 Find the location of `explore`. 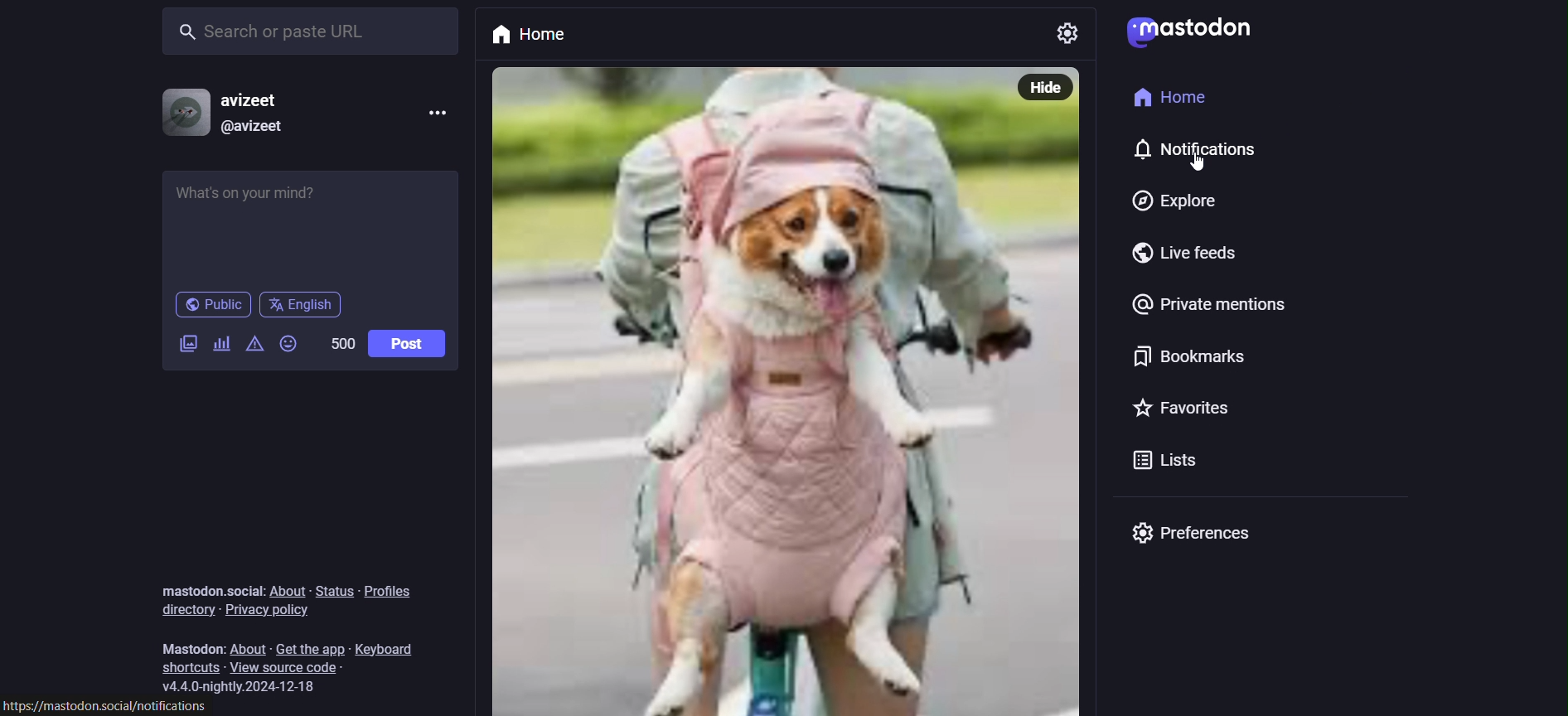

explore is located at coordinates (1168, 202).